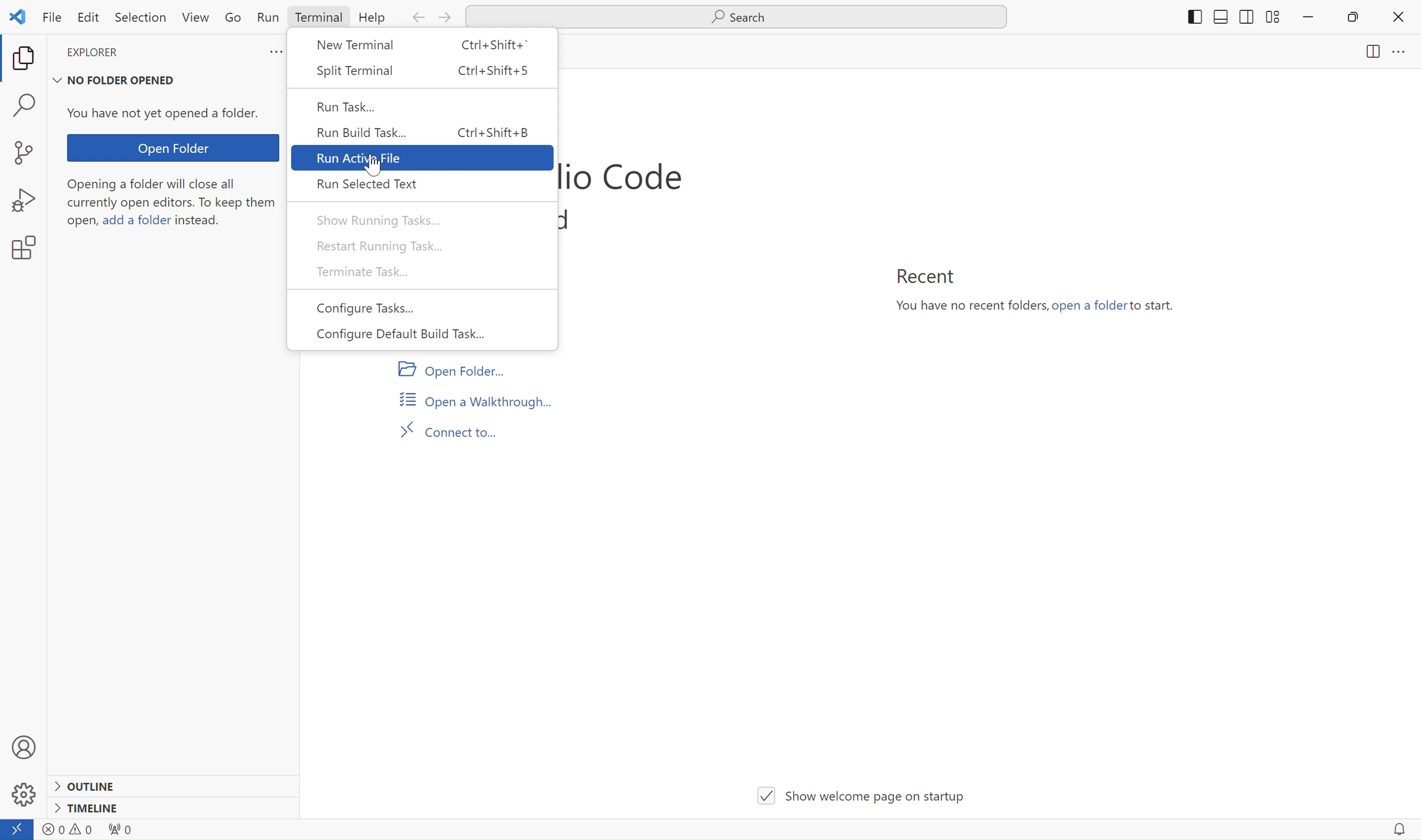  Describe the element at coordinates (428, 52) in the screenshot. I see `New Terminal` at that location.